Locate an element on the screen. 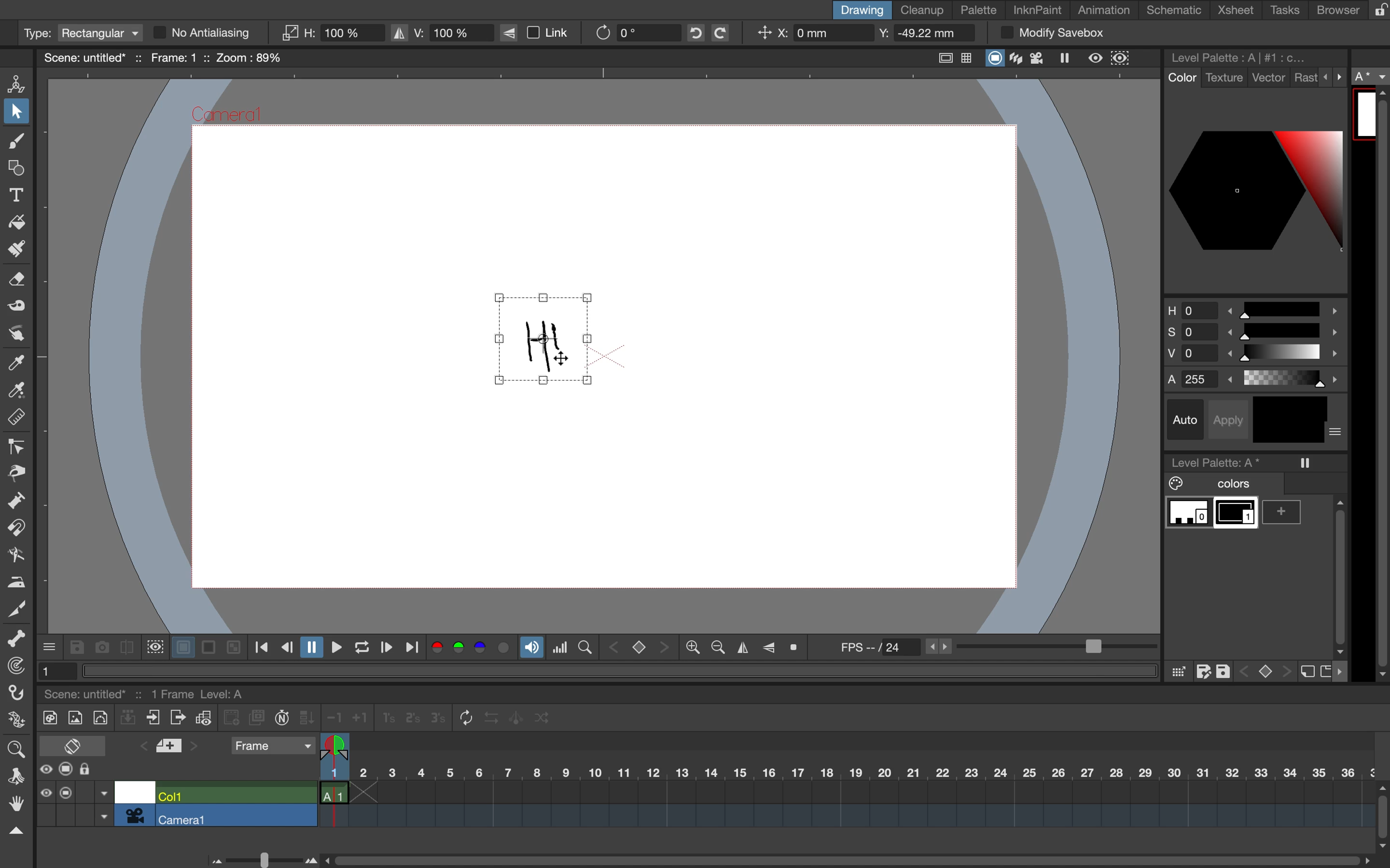  collapse is located at coordinates (15, 831).